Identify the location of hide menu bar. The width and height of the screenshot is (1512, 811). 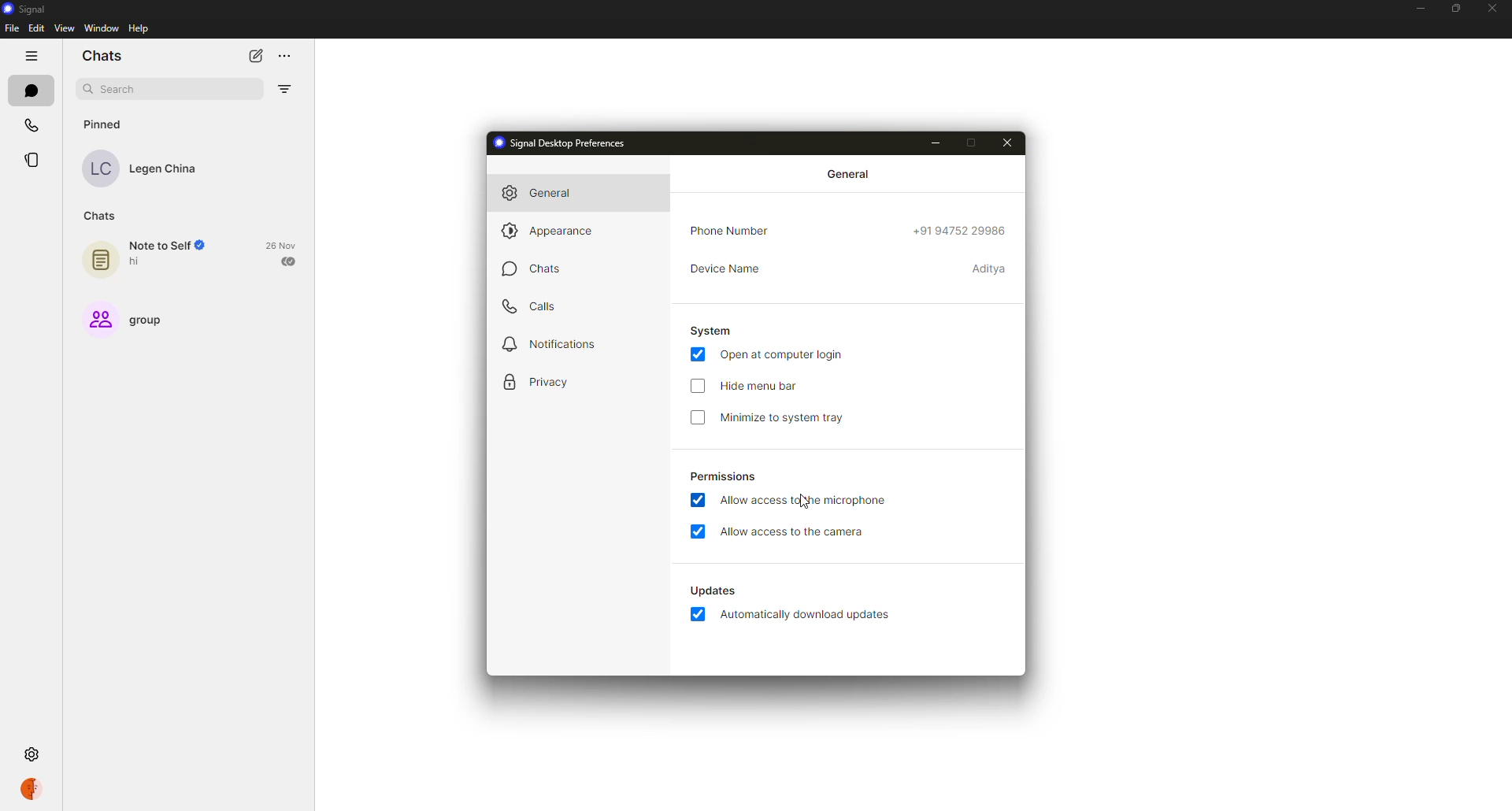
(761, 387).